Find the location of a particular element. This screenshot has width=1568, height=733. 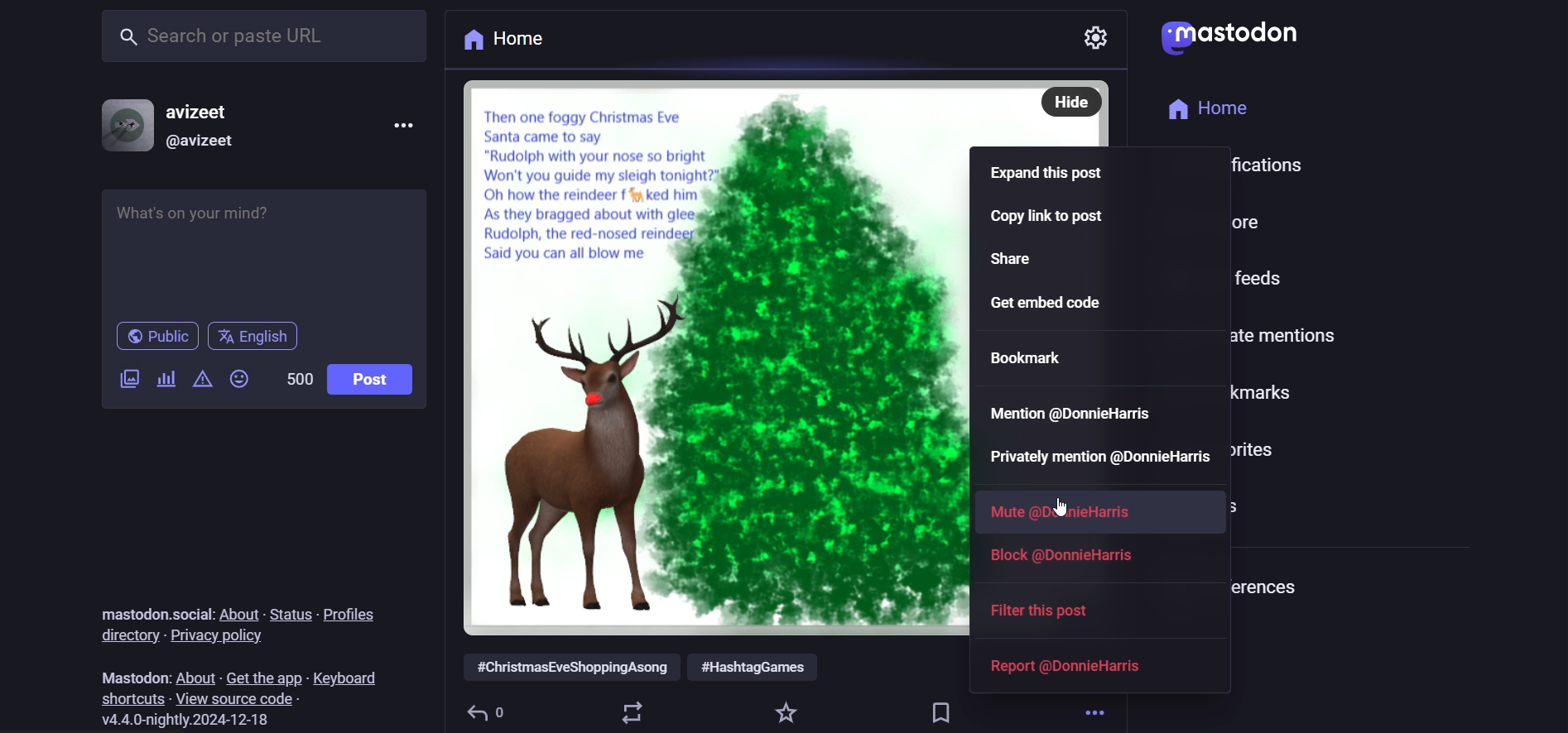

home is located at coordinates (507, 41).